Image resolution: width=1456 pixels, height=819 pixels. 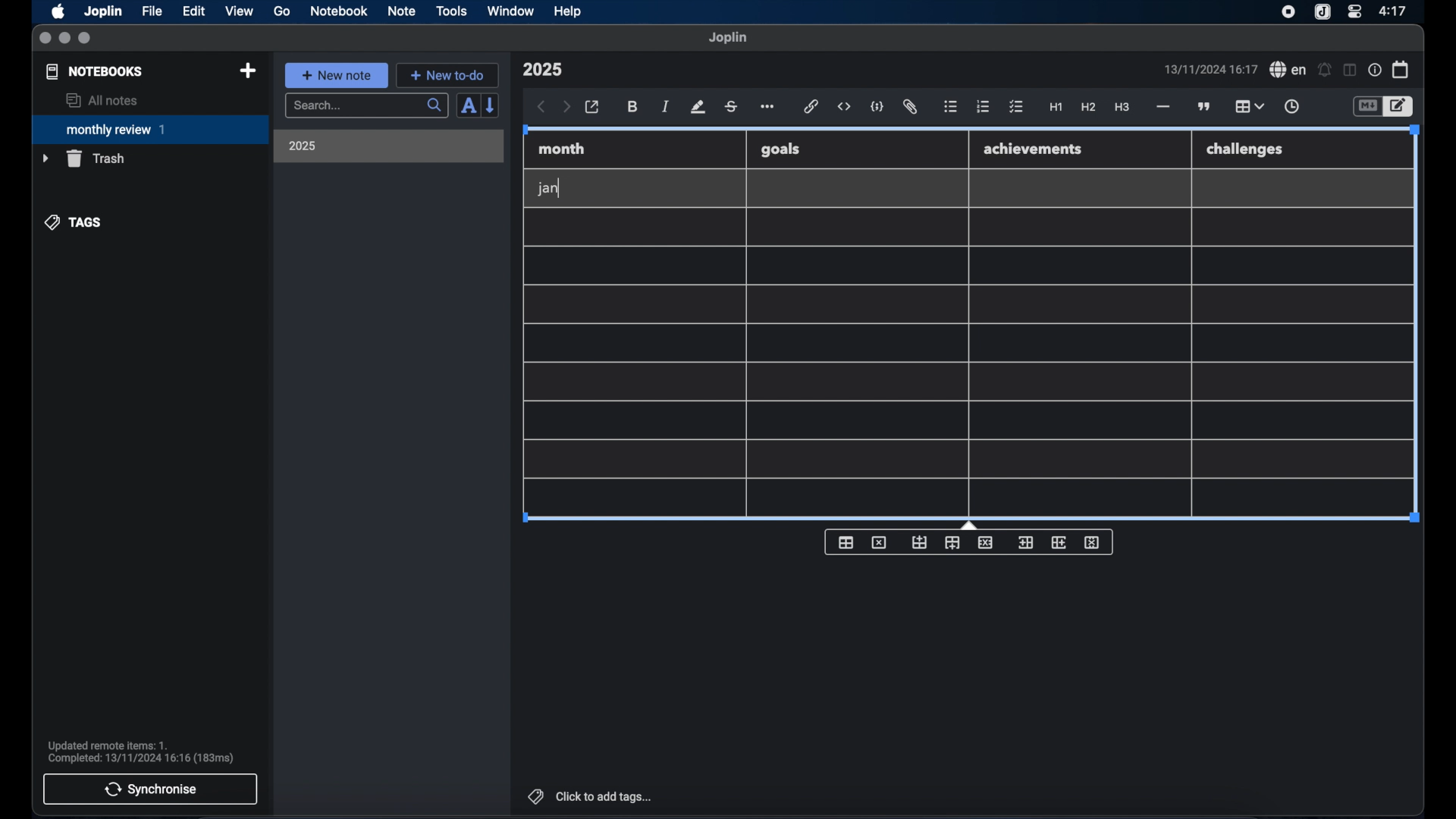 What do you see at coordinates (566, 108) in the screenshot?
I see `forward` at bounding box center [566, 108].